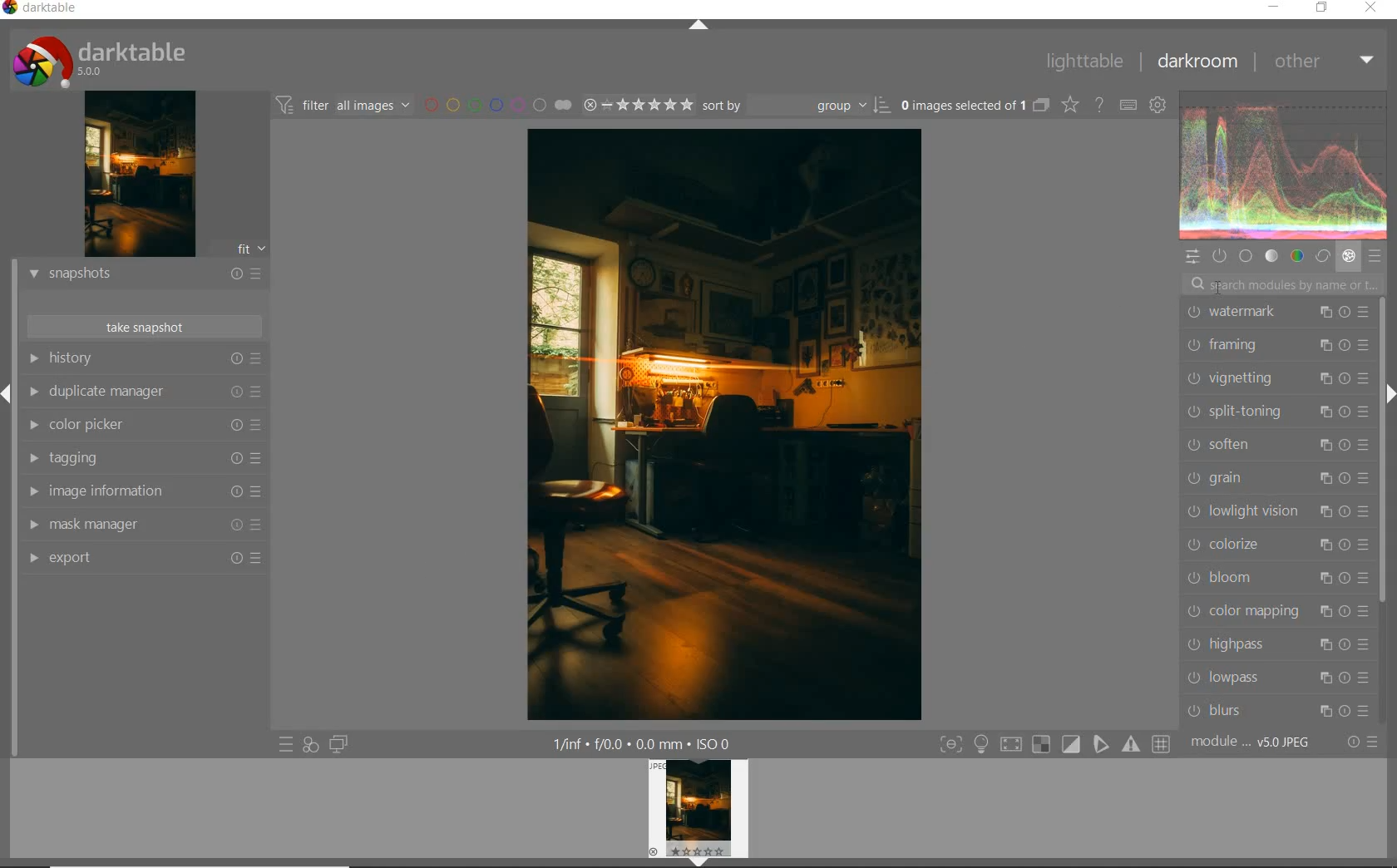 The height and width of the screenshot is (868, 1397). I want to click on toggle modes, so click(1050, 743).